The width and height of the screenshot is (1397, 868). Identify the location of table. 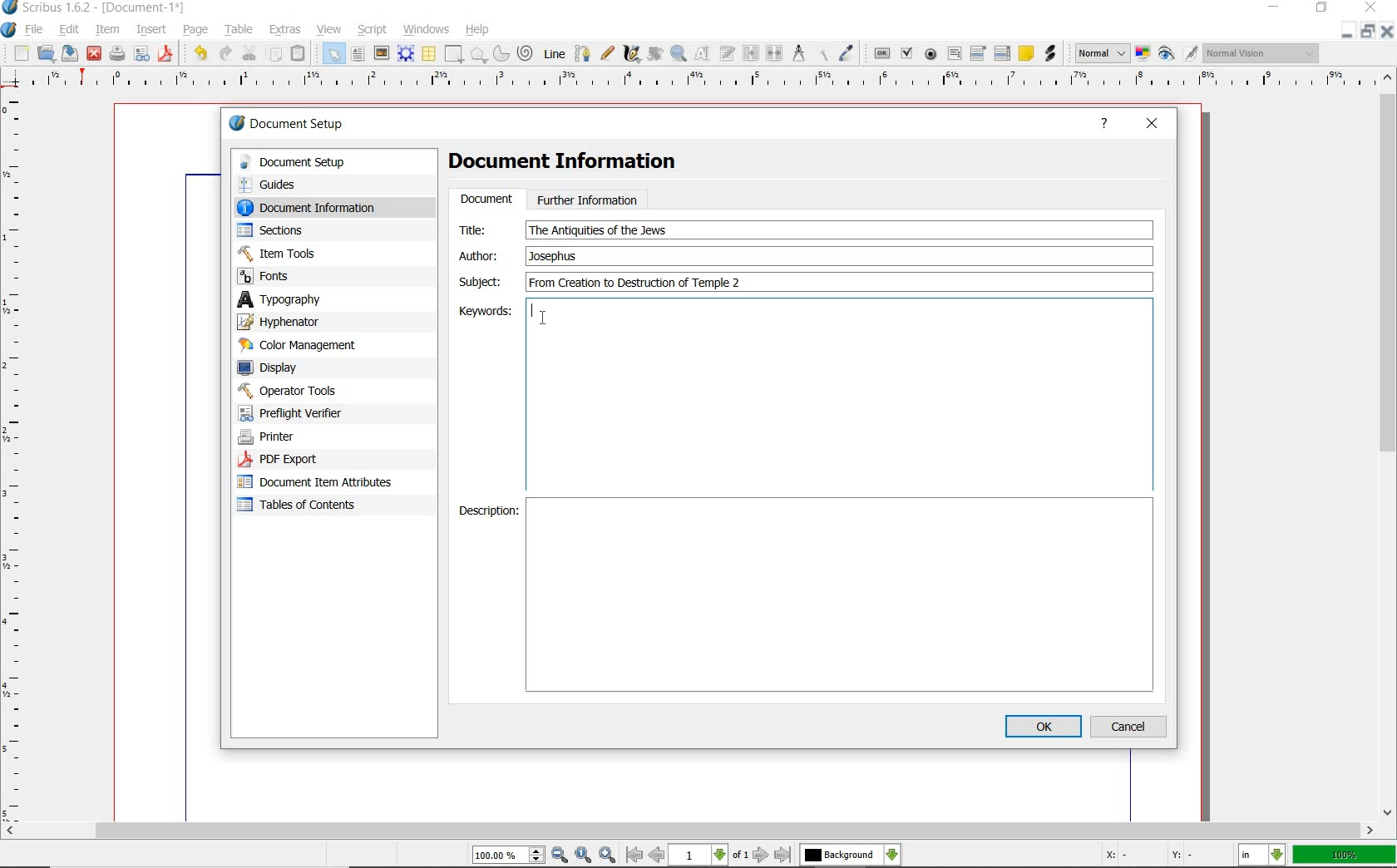
(428, 53).